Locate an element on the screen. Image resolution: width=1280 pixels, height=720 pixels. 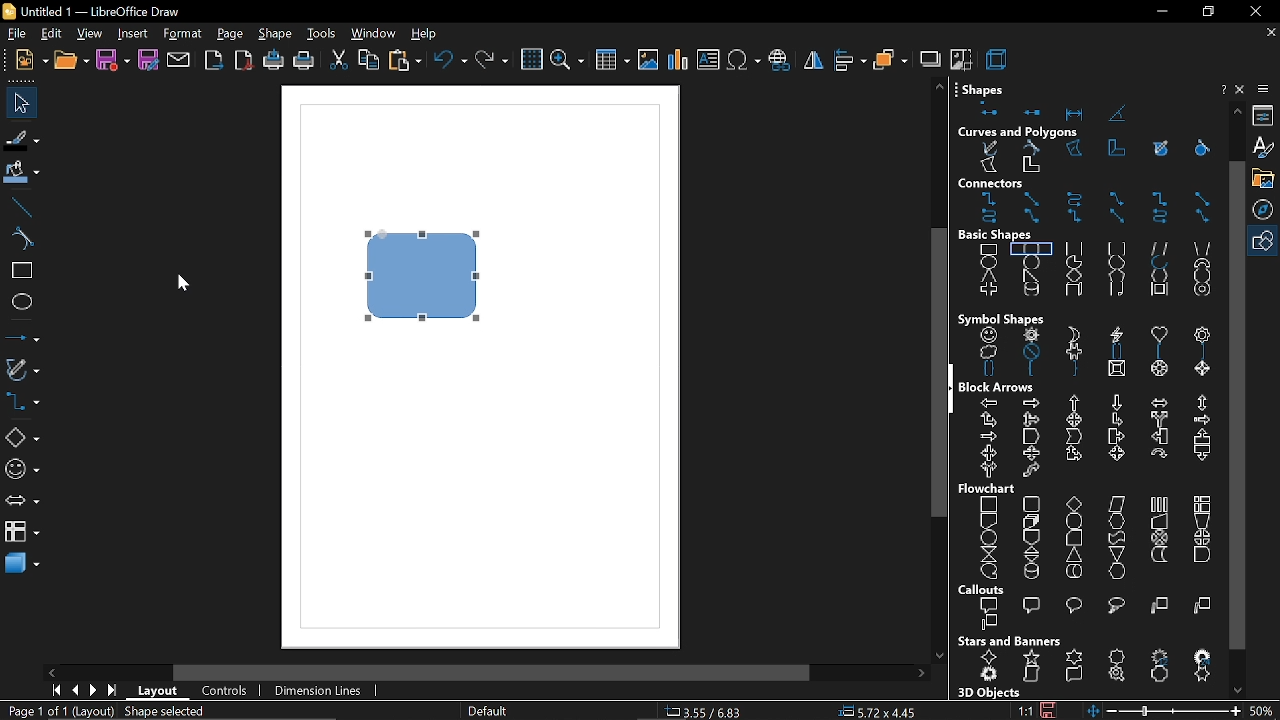
block arrows is located at coordinates (1001, 386).